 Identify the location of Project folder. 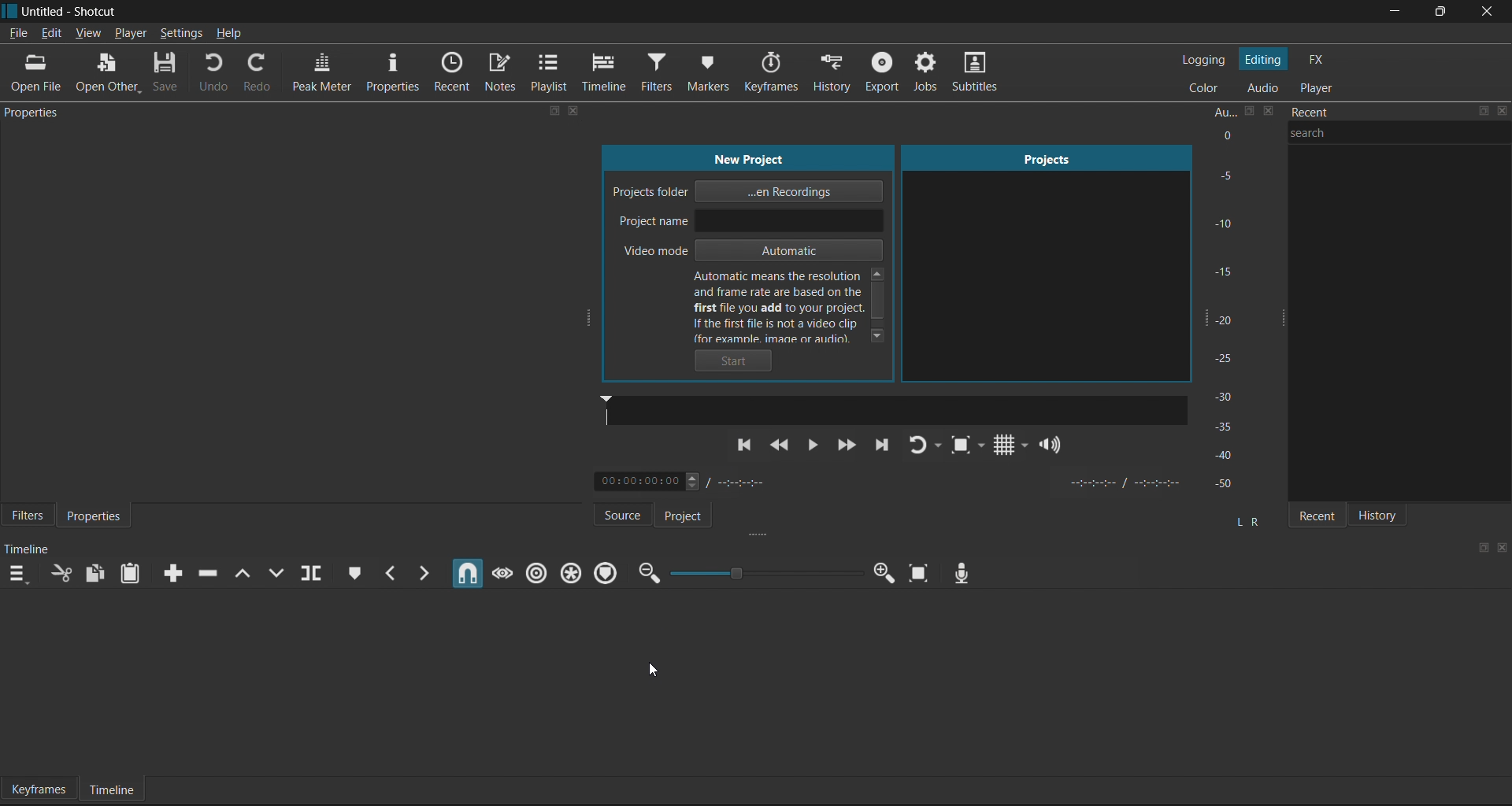
(755, 192).